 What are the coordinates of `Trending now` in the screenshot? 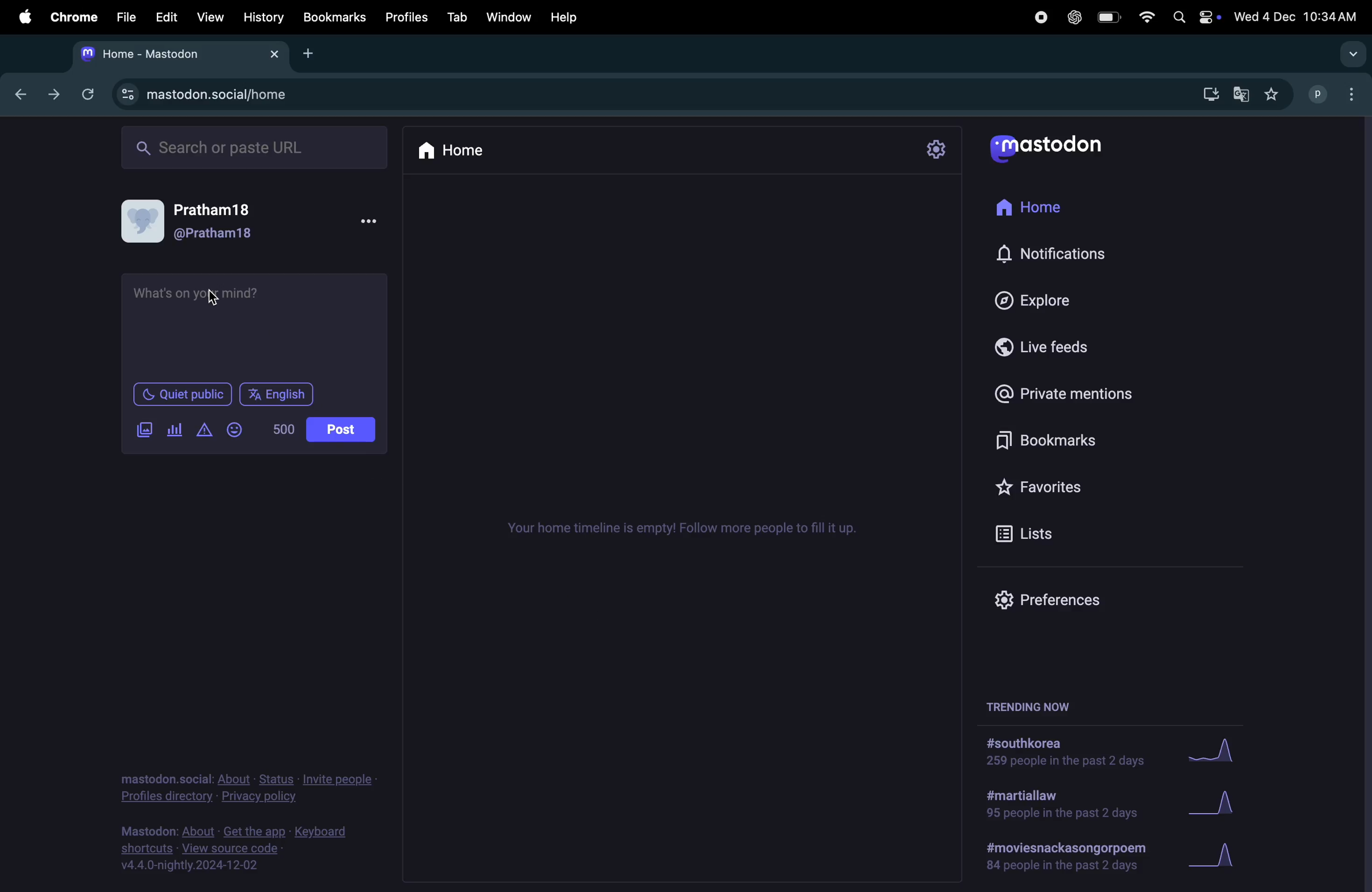 It's located at (1035, 703).